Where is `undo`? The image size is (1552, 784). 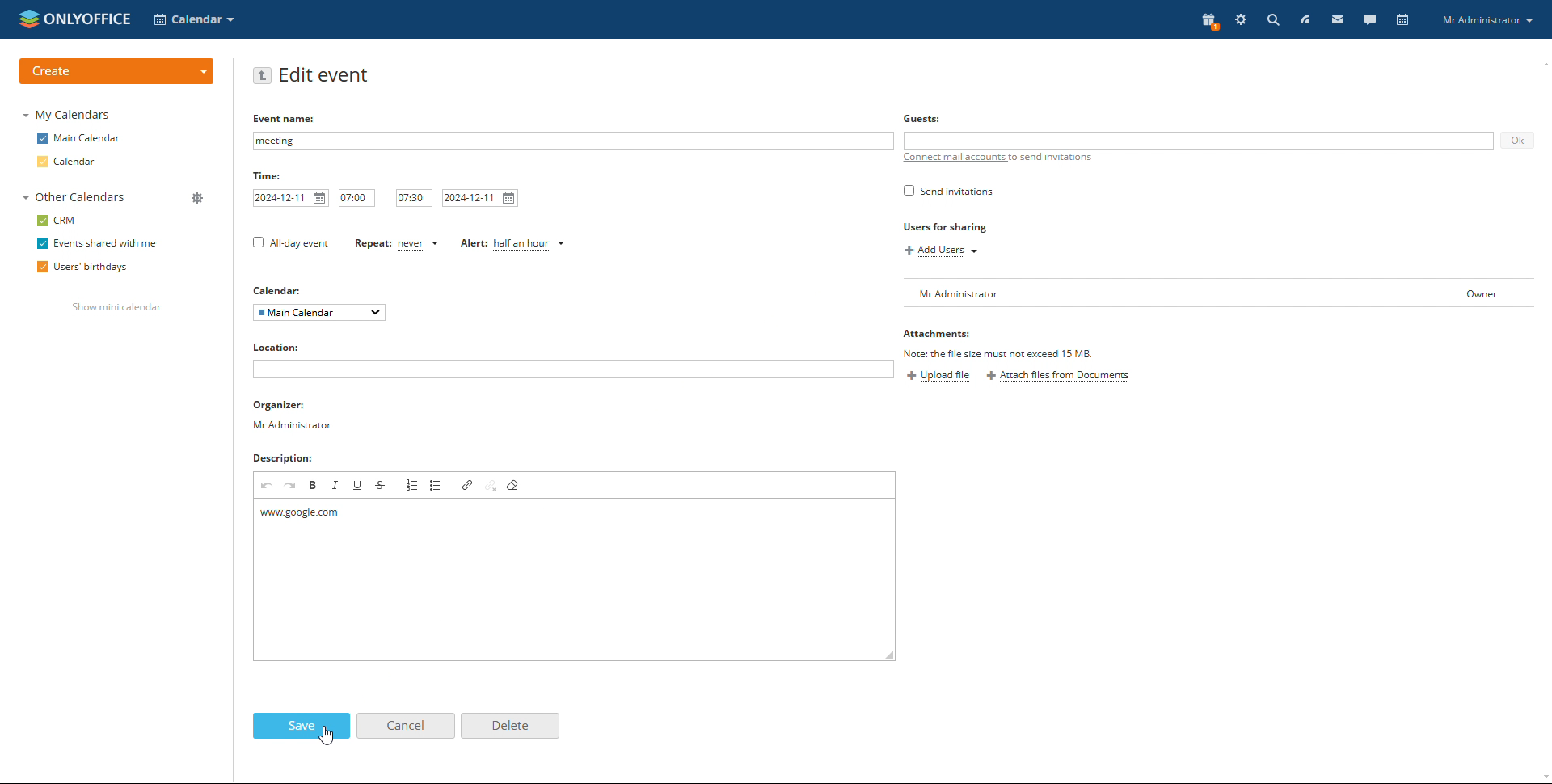 undo is located at coordinates (268, 486).